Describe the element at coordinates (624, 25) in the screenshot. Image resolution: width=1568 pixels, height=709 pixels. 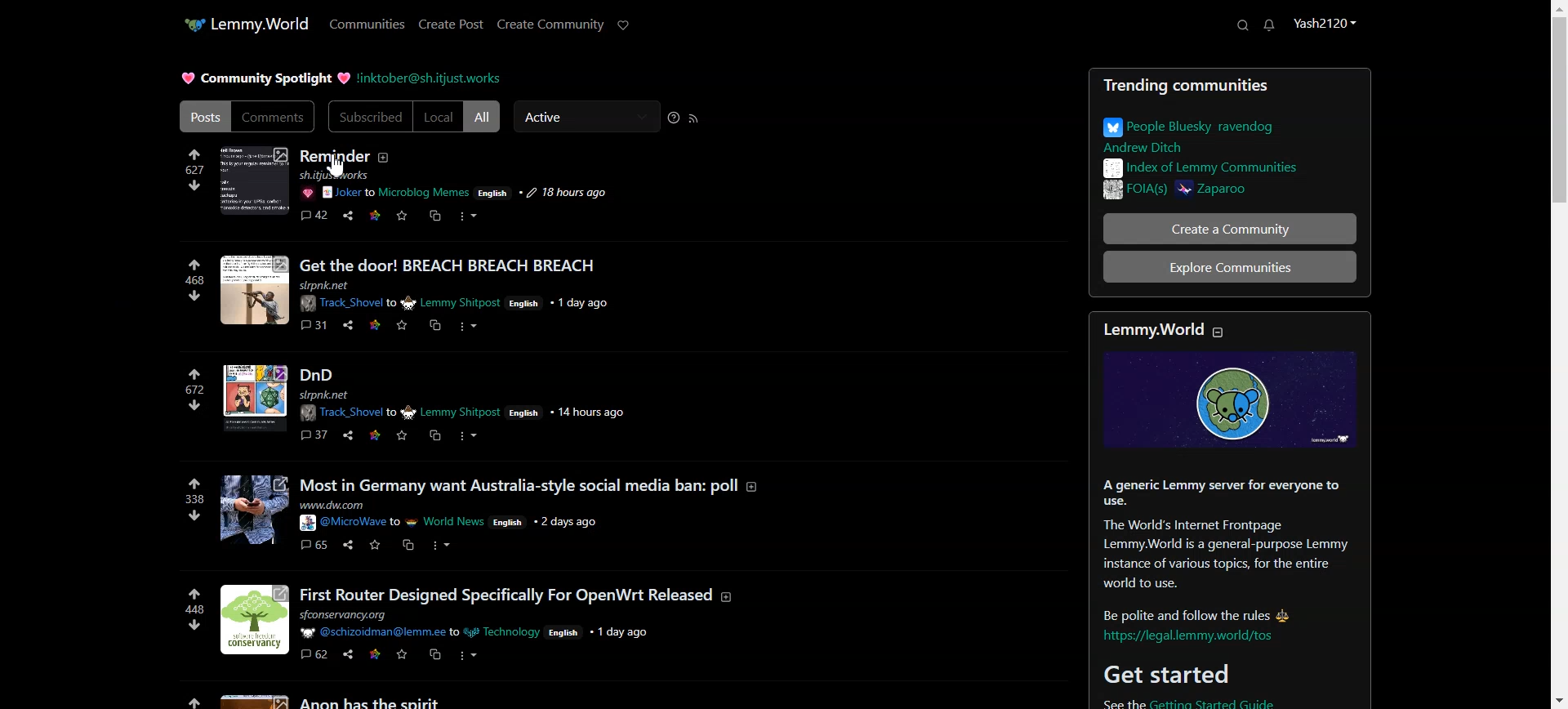
I see `Support Lemmy` at that location.